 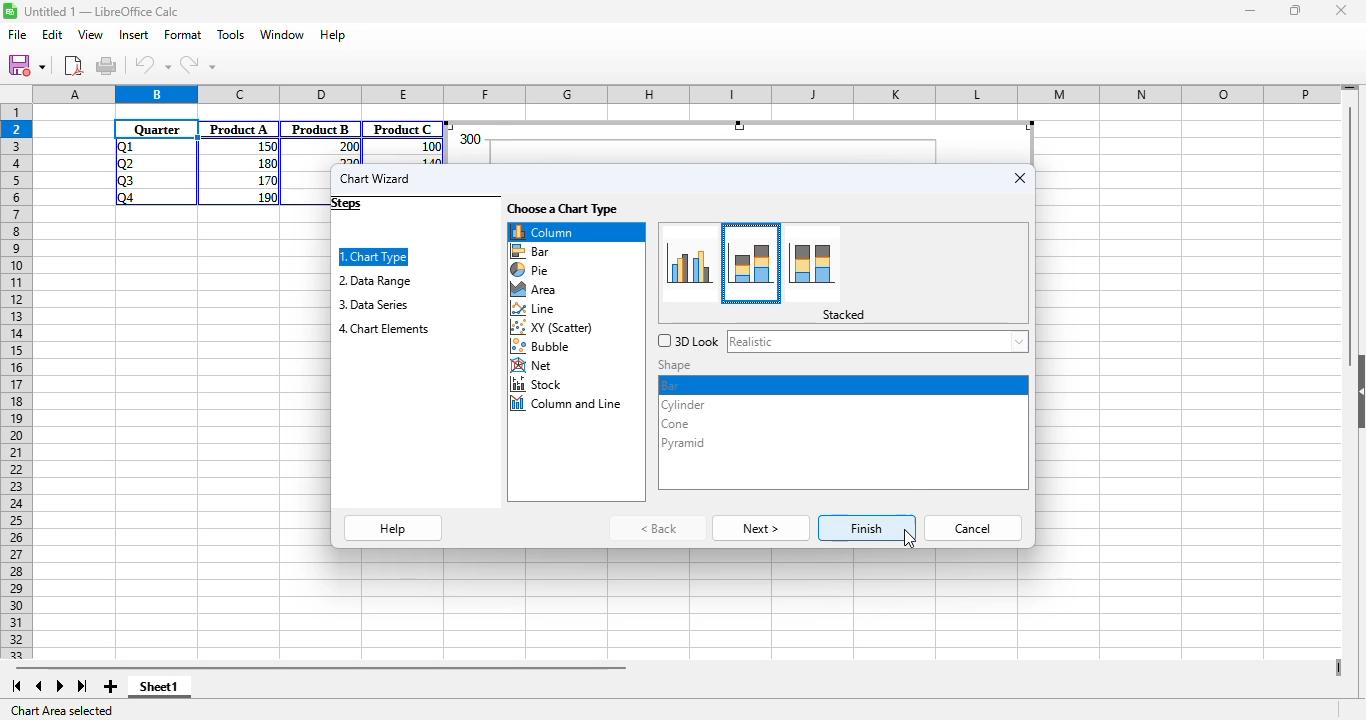 I want to click on cylinder, so click(x=683, y=405).